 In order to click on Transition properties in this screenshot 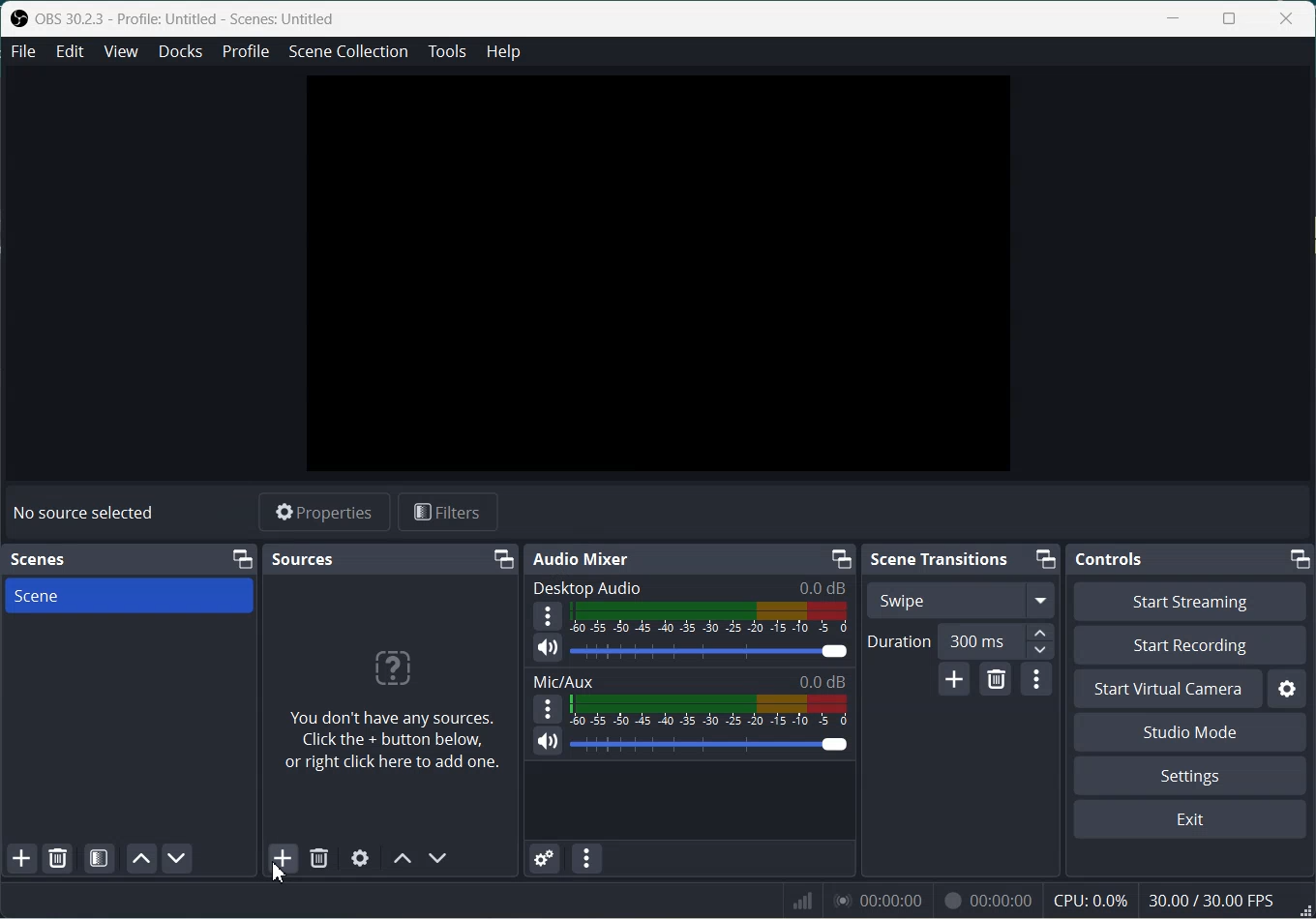, I will do `click(1038, 680)`.